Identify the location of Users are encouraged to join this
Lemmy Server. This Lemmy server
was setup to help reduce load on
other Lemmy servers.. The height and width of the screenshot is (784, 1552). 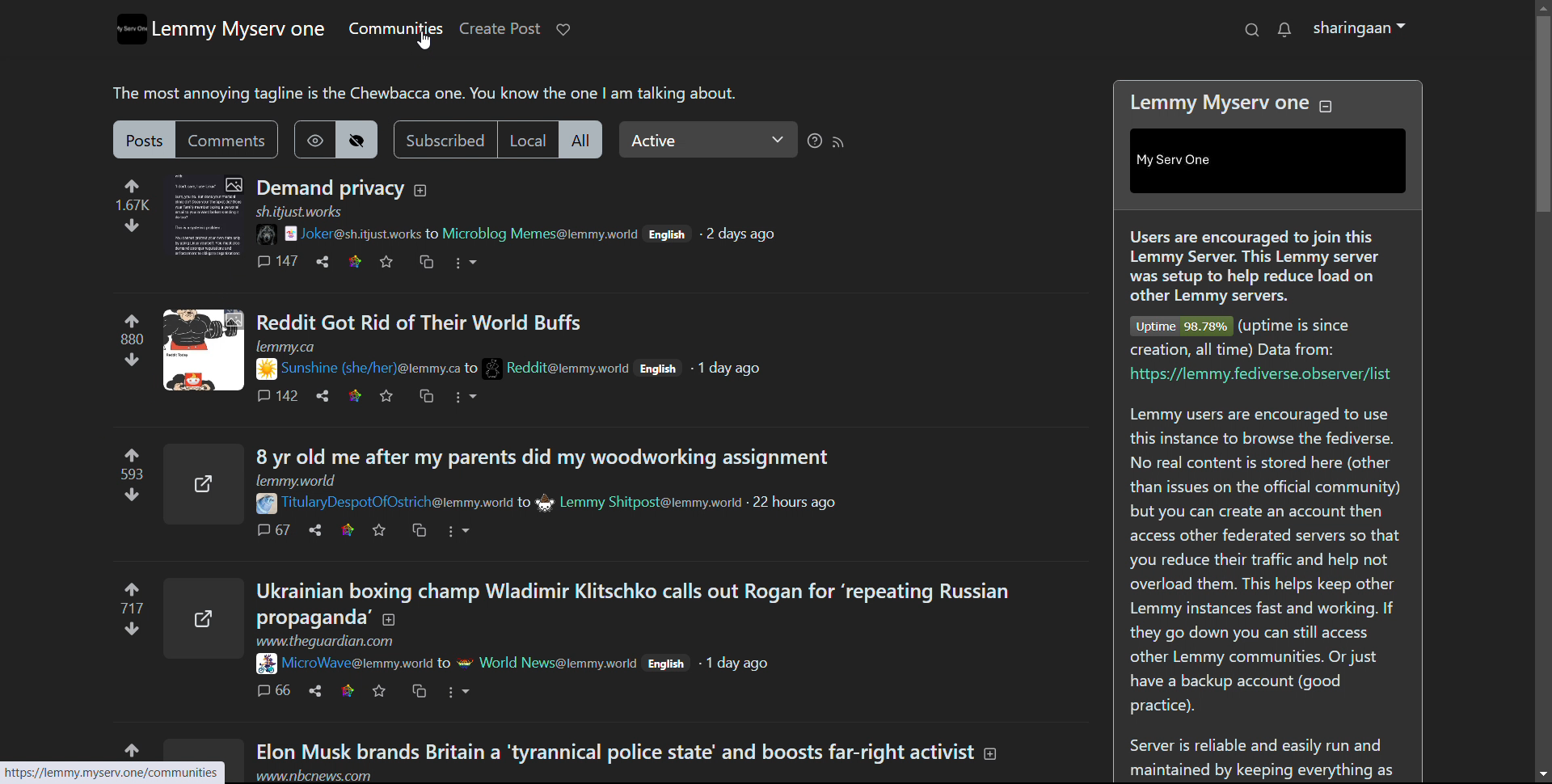
(1252, 263).